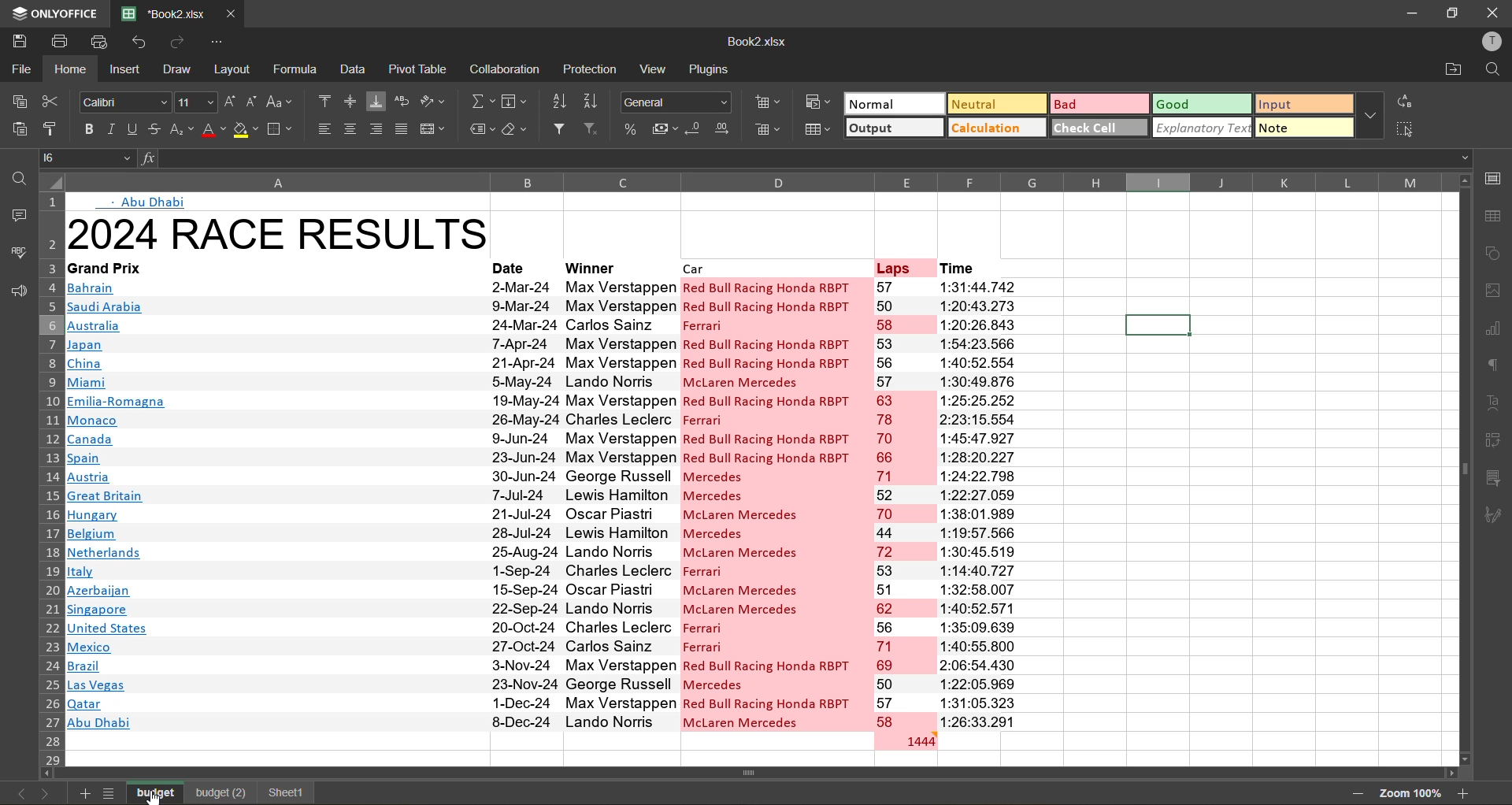  What do you see at coordinates (1464, 395) in the screenshot?
I see `scroll bar` at bounding box center [1464, 395].